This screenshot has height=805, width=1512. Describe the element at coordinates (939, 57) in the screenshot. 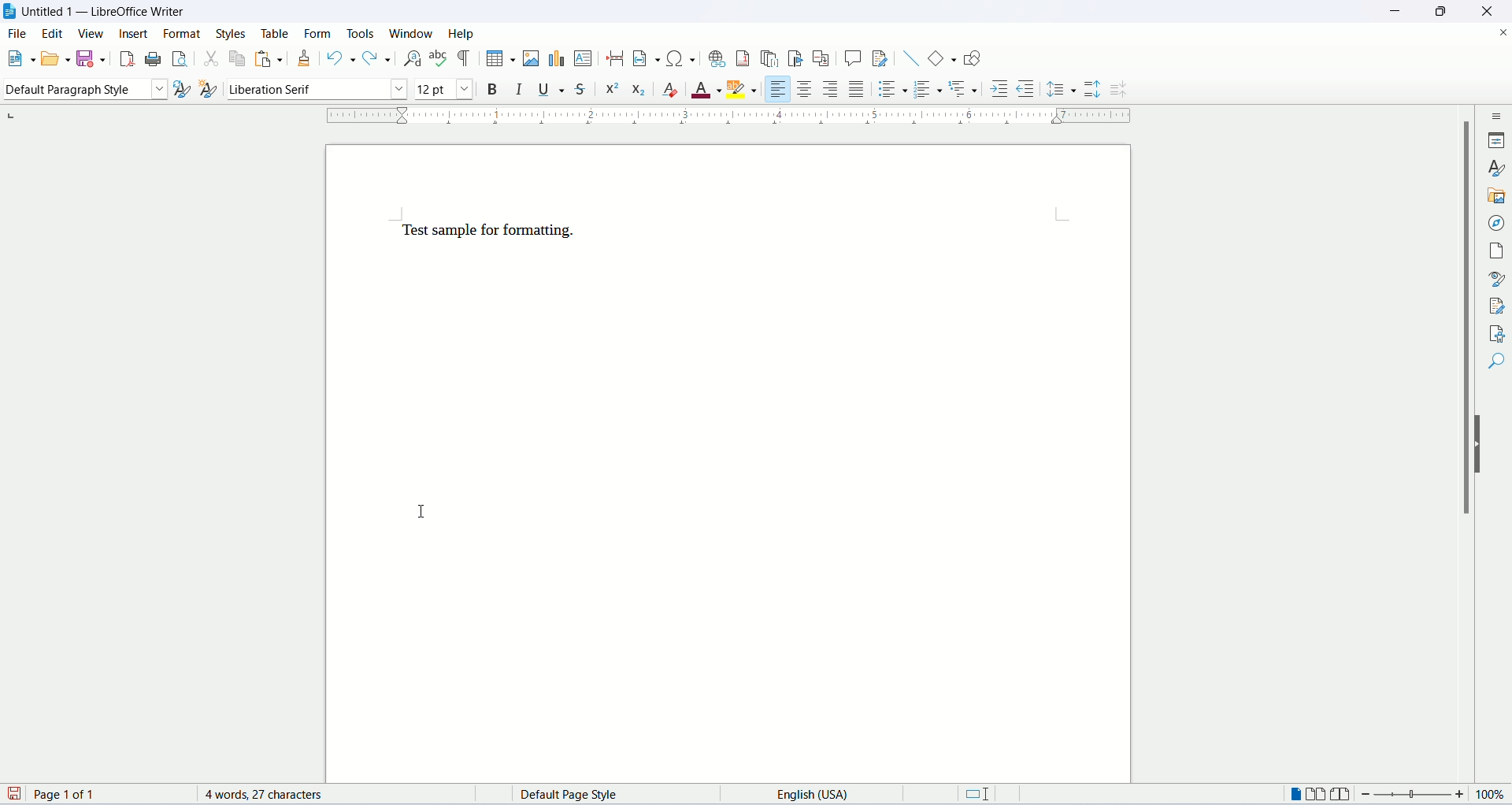

I see `basic shapes` at that location.